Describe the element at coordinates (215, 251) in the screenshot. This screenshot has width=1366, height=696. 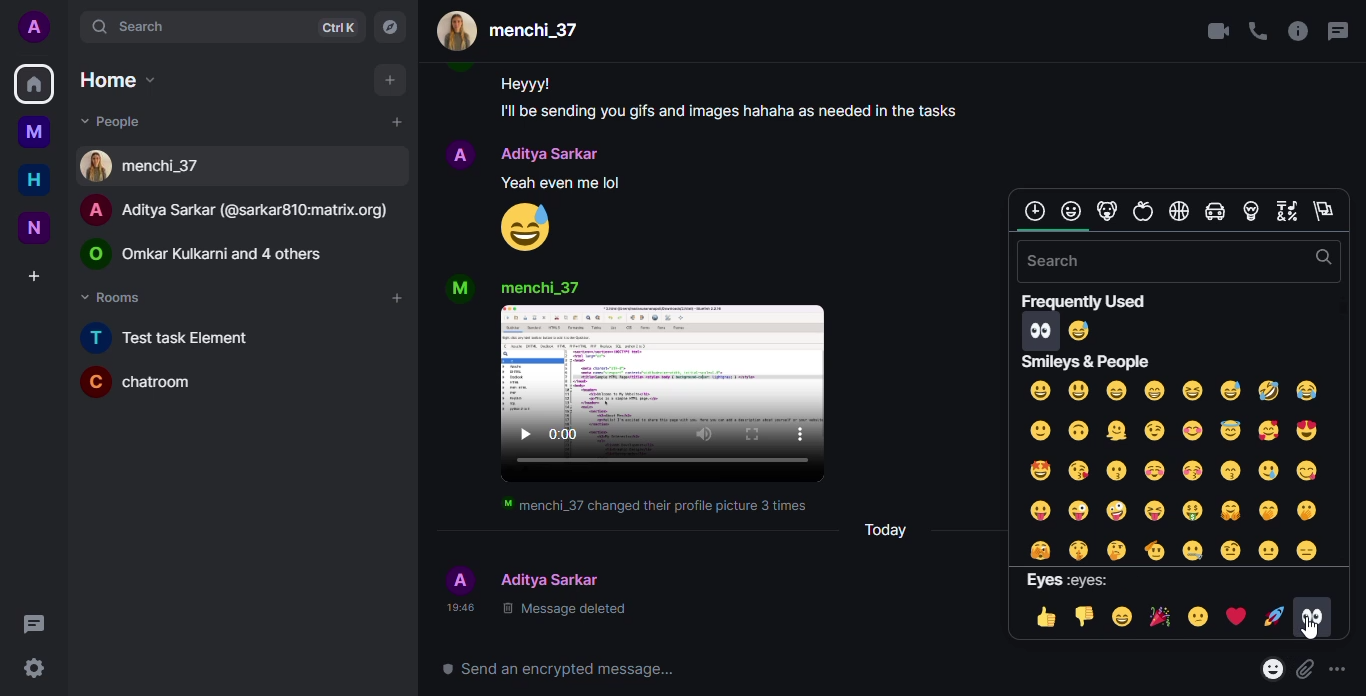
I see `people` at that location.